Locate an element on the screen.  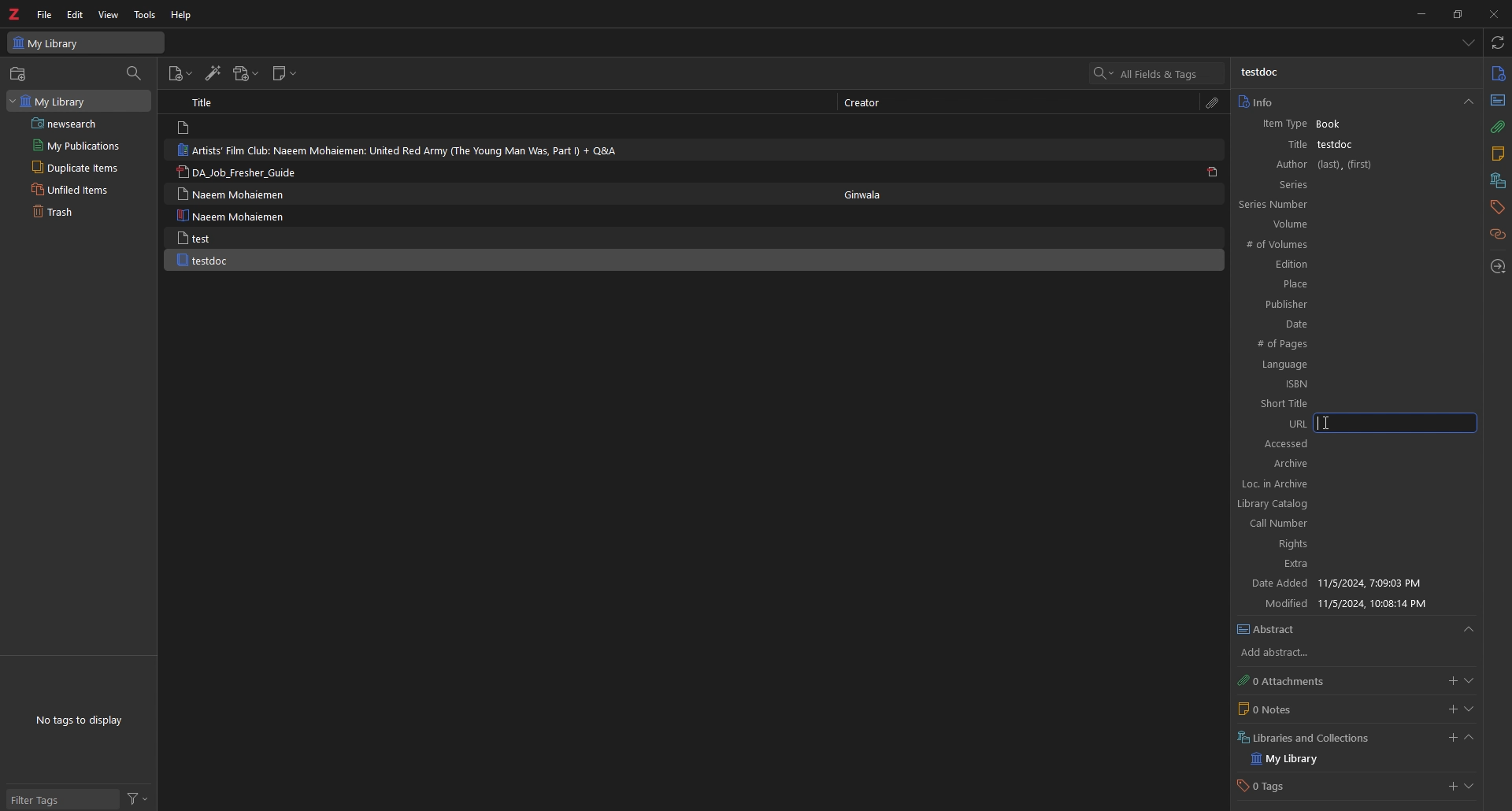
add libraries and collections is located at coordinates (1450, 739).